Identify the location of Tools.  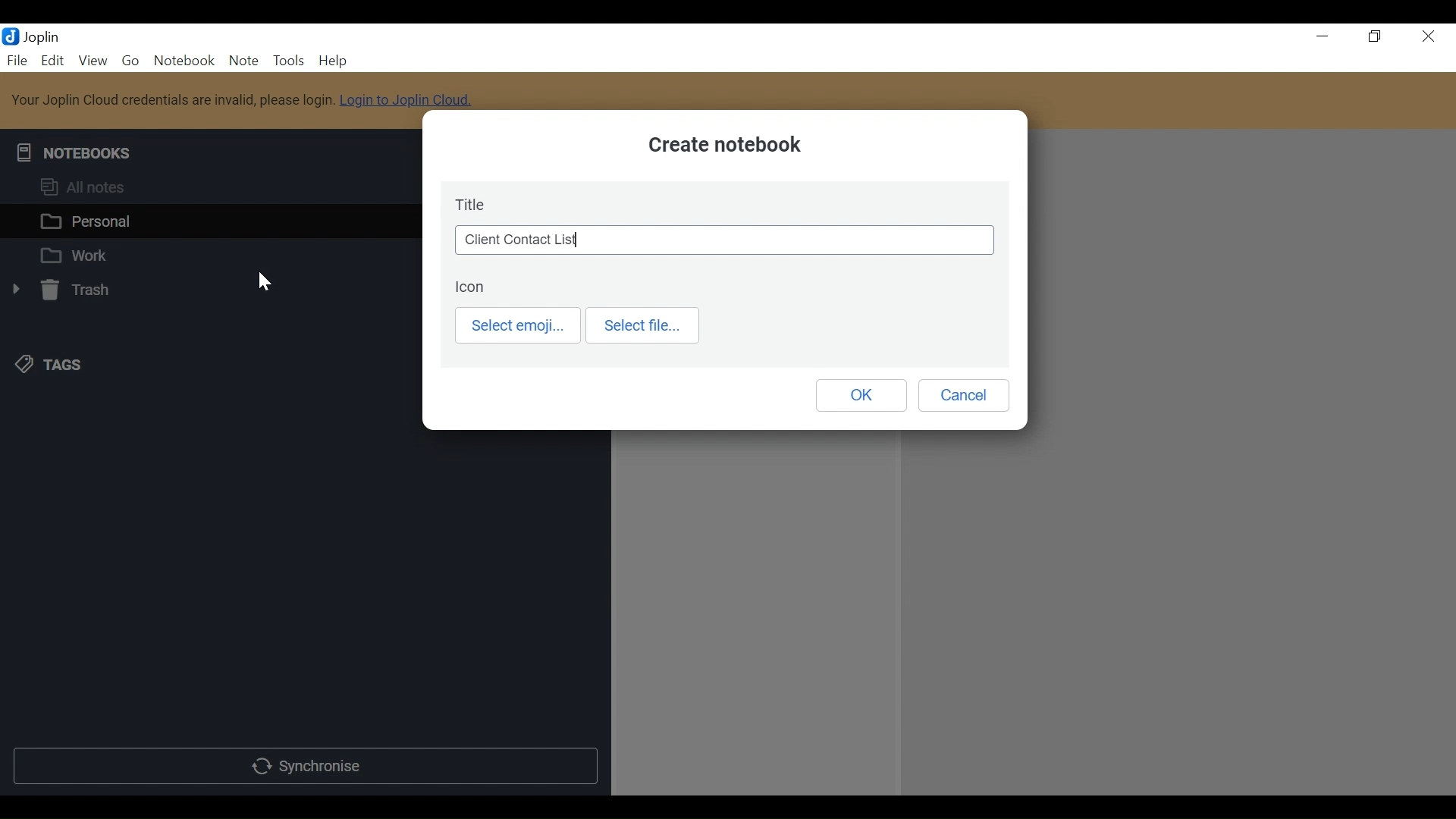
(287, 61).